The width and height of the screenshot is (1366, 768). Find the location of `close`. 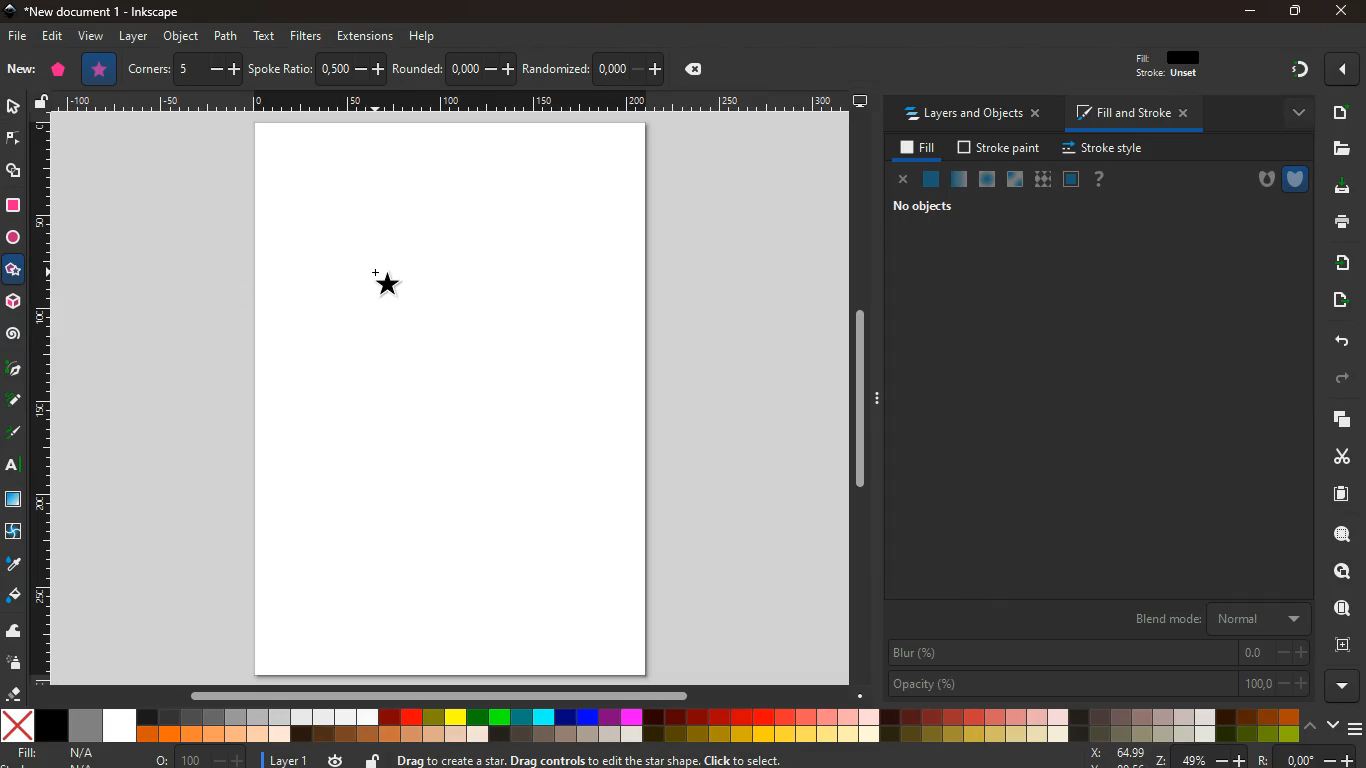

close is located at coordinates (903, 180).